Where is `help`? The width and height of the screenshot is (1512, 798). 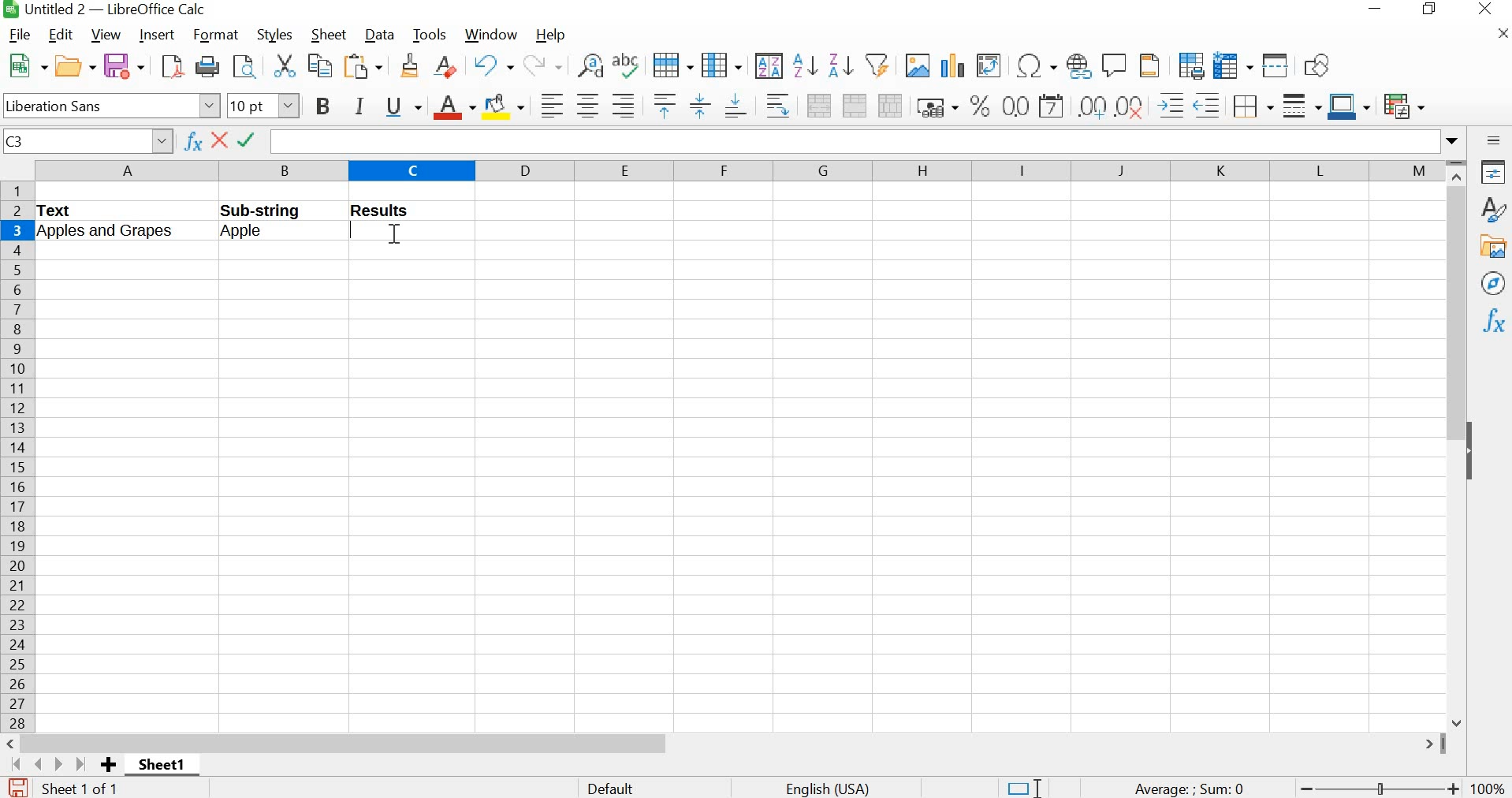 help is located at coordinates (555, 34).